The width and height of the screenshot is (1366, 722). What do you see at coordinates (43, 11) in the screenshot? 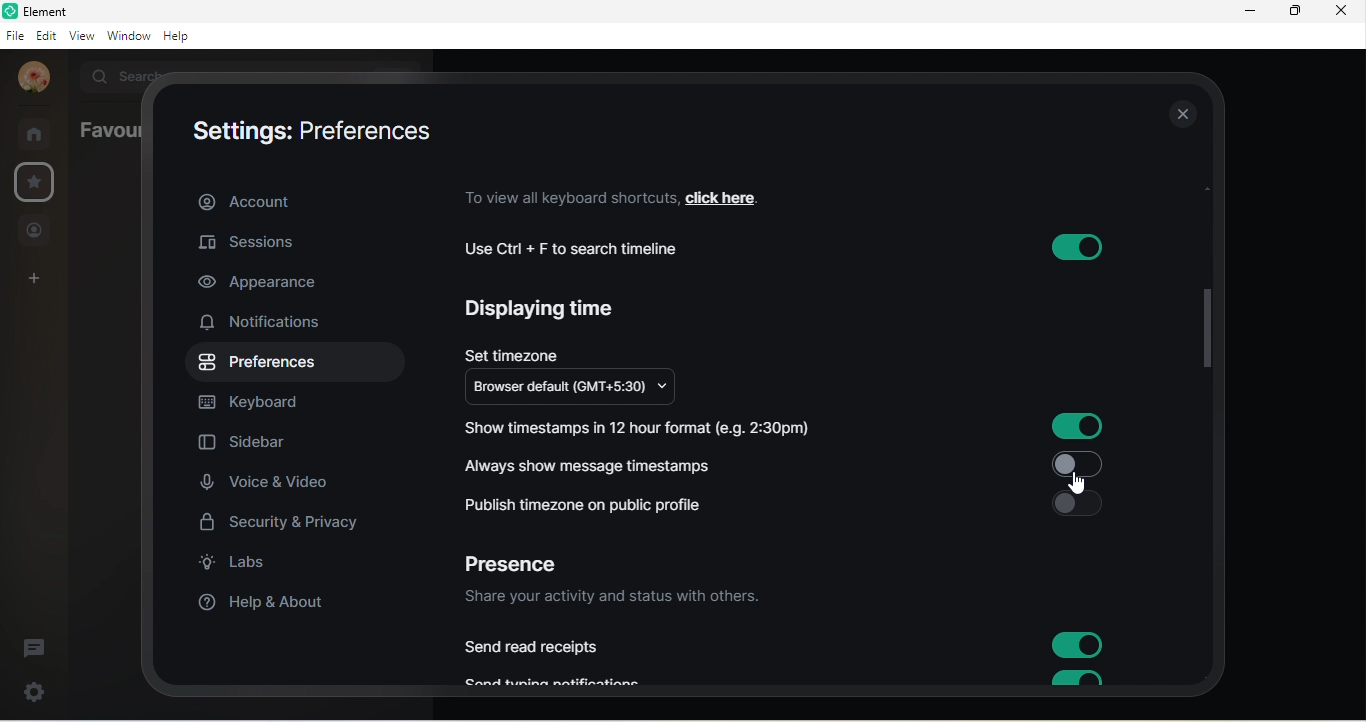
I see `Element` at bounding box center [43, 11].